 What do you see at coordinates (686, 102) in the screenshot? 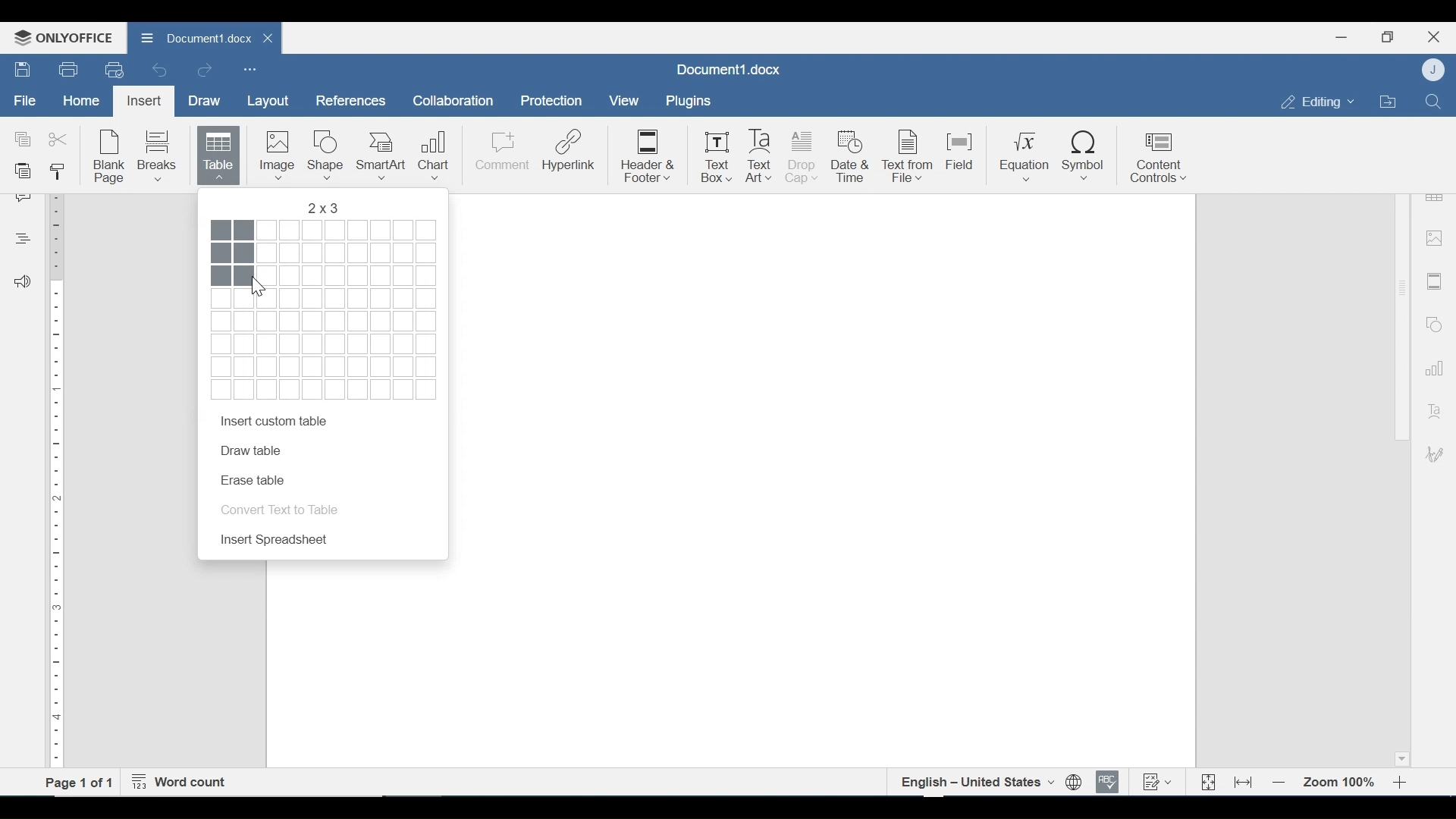
I see `Plugins` at bounding box center [686, 102].